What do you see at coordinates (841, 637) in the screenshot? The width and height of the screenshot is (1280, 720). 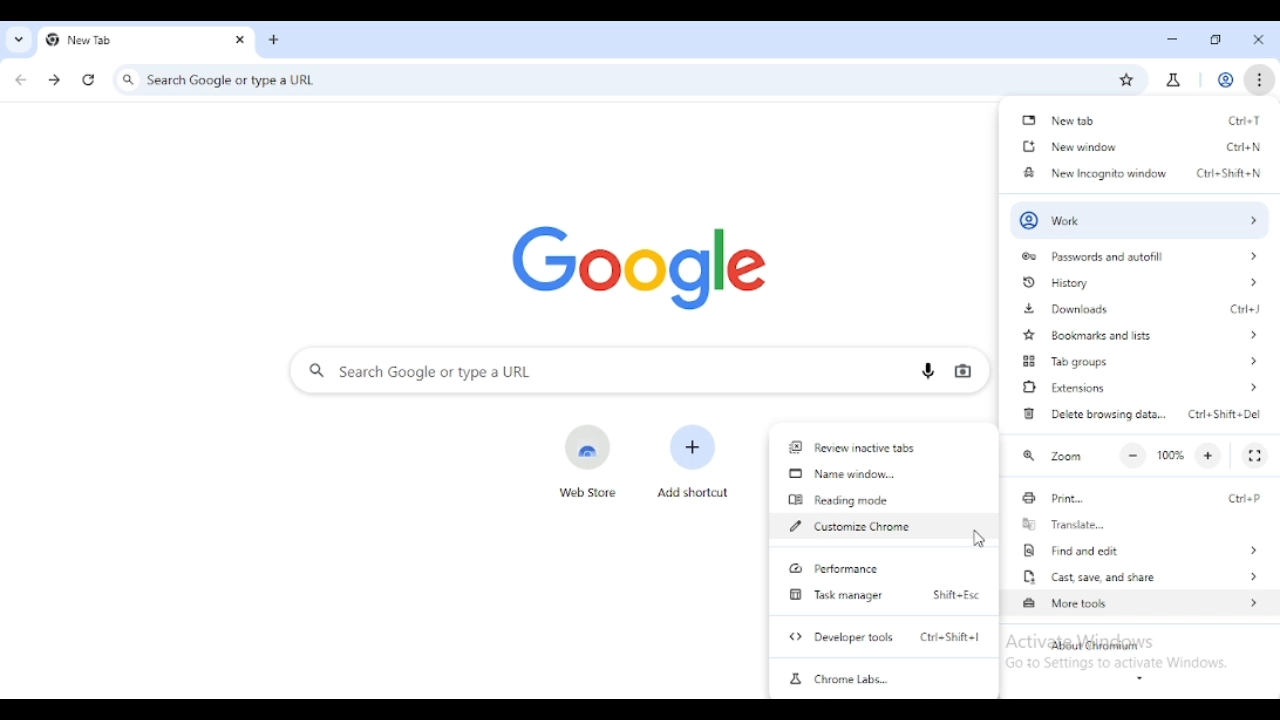 I see `developer tools` at bounding box center [841, 637].